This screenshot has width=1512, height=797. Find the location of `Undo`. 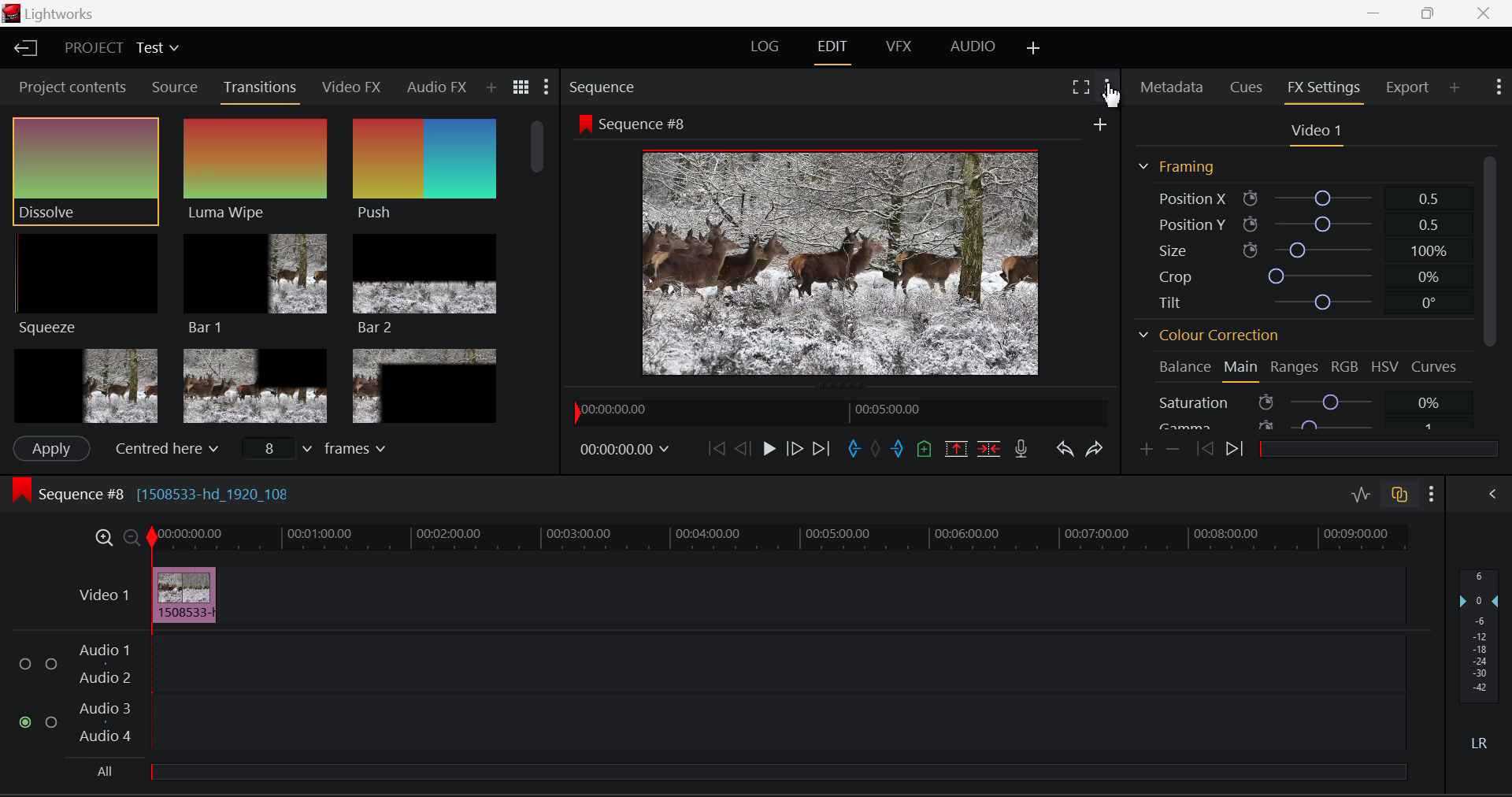

Undo is located at coordinates (1064, 448).